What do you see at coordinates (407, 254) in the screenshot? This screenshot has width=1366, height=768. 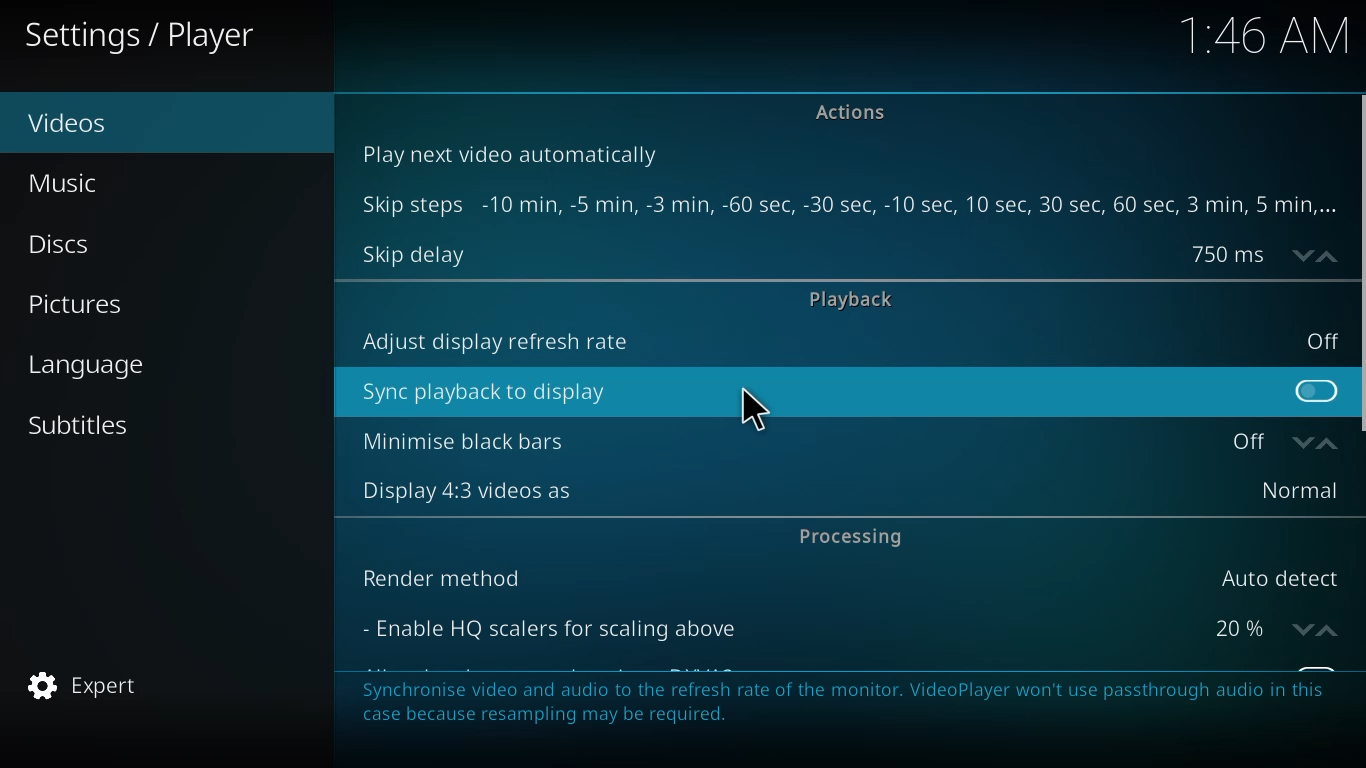 I see `skip delay` at bounding box center [407, 254].